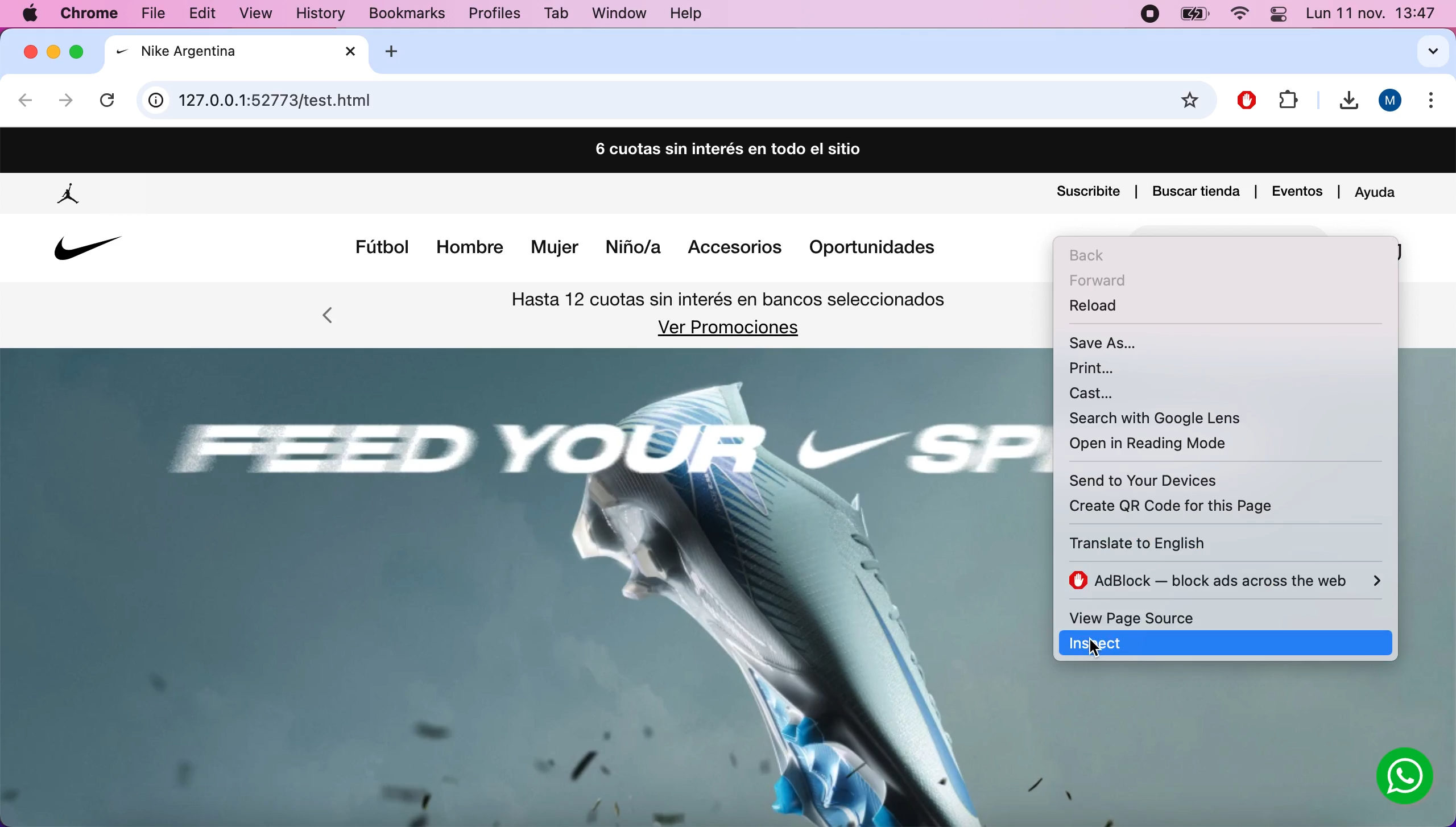  Describe the element at coordinates (1088, 193) in the screenshot. I see `Subscribe` at that location.